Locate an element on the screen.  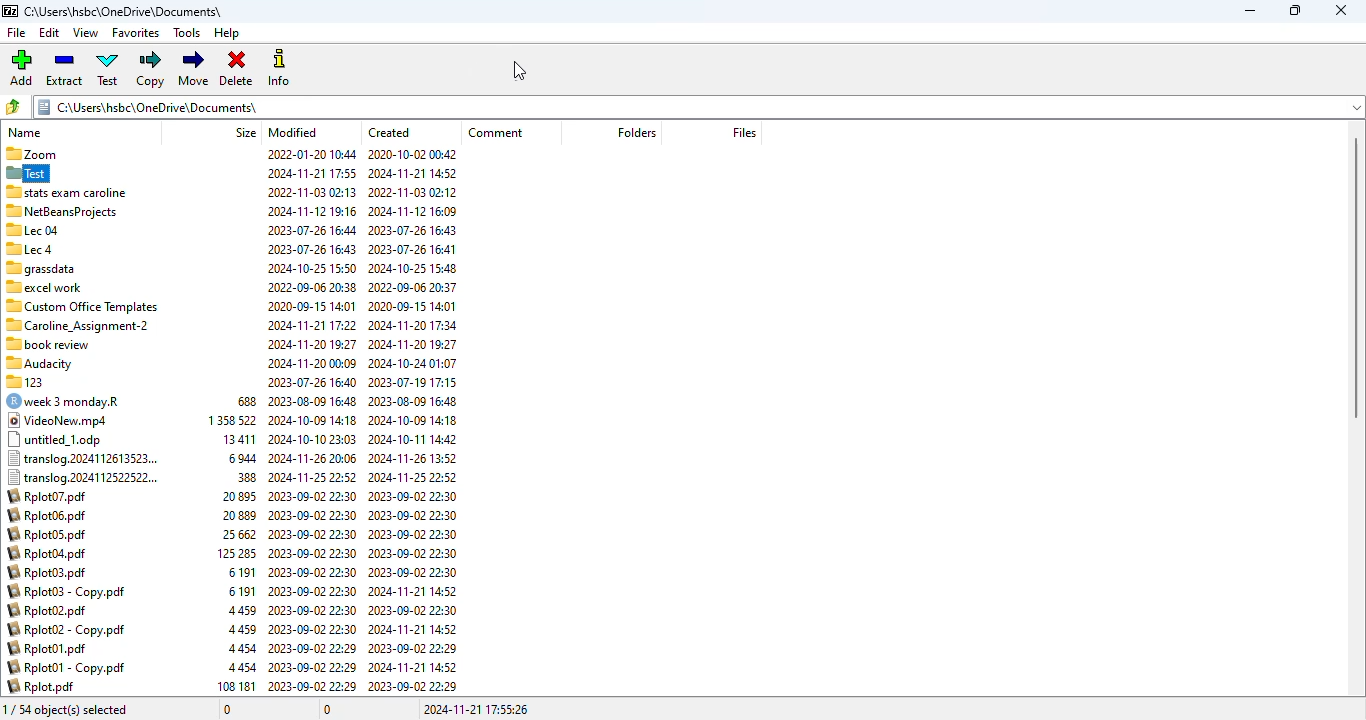
Lec 4 is located at coordinates (30, 249).